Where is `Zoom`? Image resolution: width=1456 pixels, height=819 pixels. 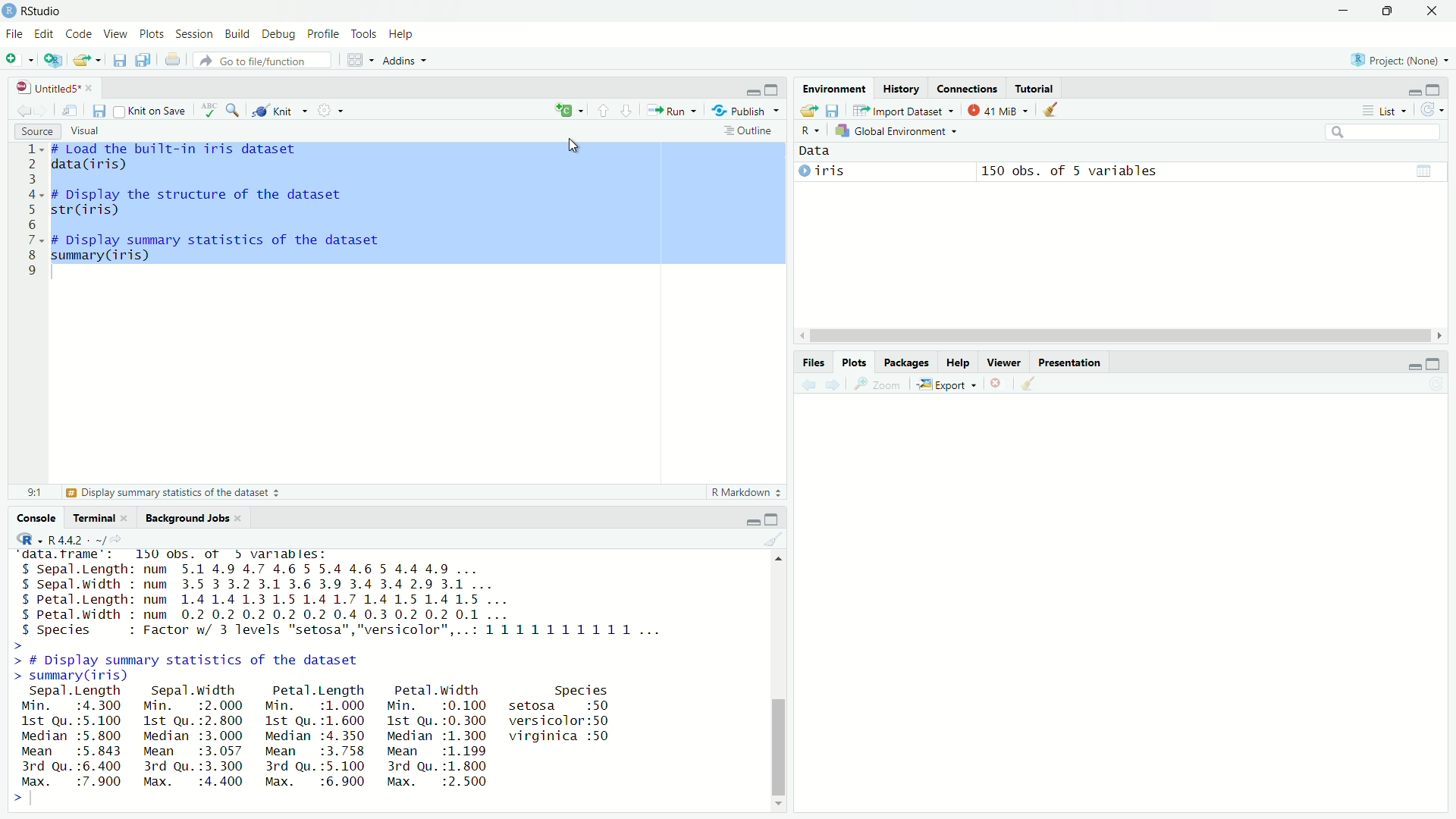
Zoom is located at coordinates (876, 384).